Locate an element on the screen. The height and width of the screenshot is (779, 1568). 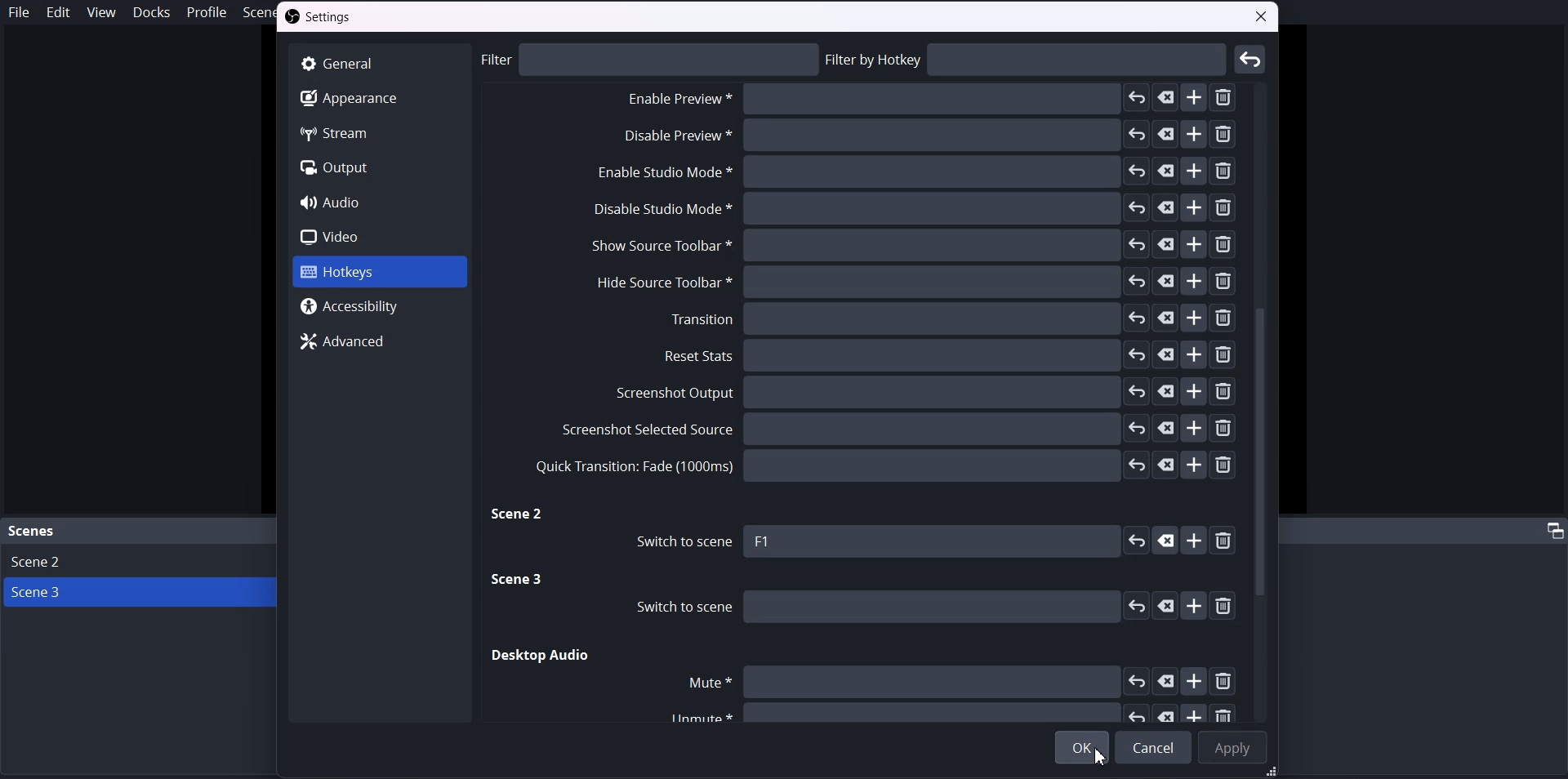
Switch to scene is located at coordinates (924, 607).